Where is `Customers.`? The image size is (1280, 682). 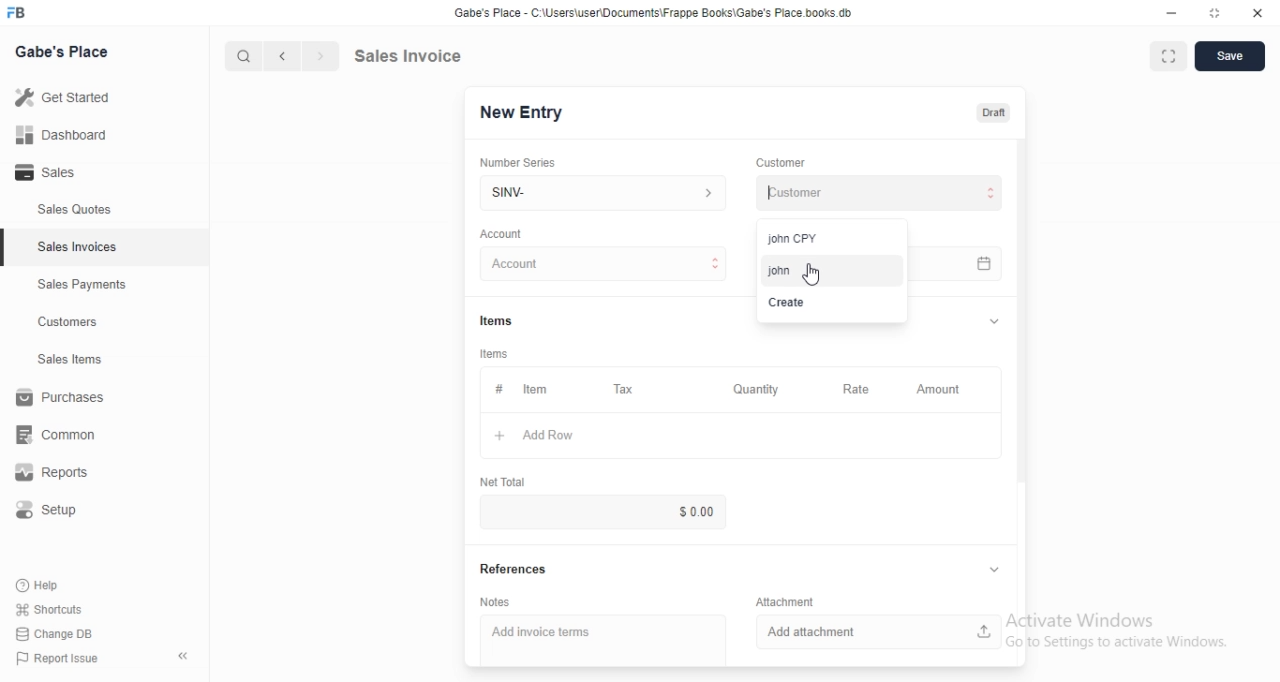 Customers. is located at coordinates (62, 324).